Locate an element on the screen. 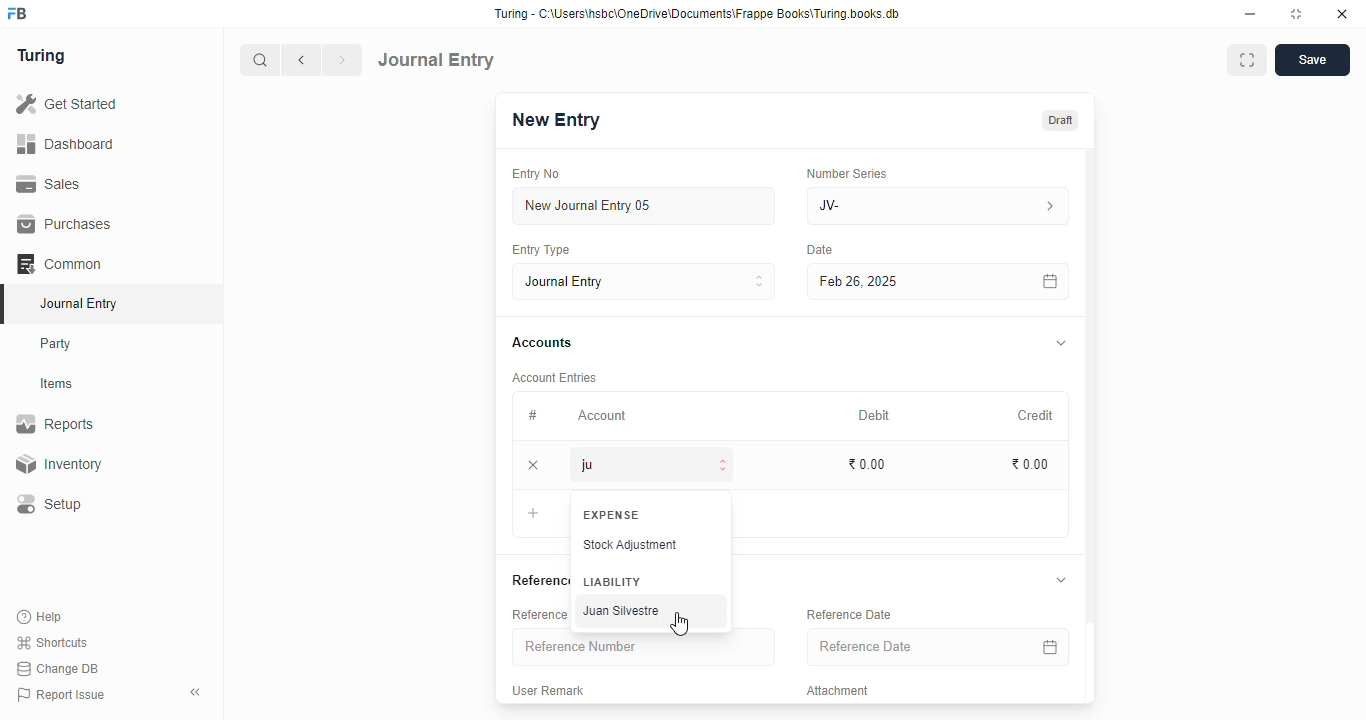 The height and width of the screenshot is (720, 1366). Date is located at coordinates (821, 250).